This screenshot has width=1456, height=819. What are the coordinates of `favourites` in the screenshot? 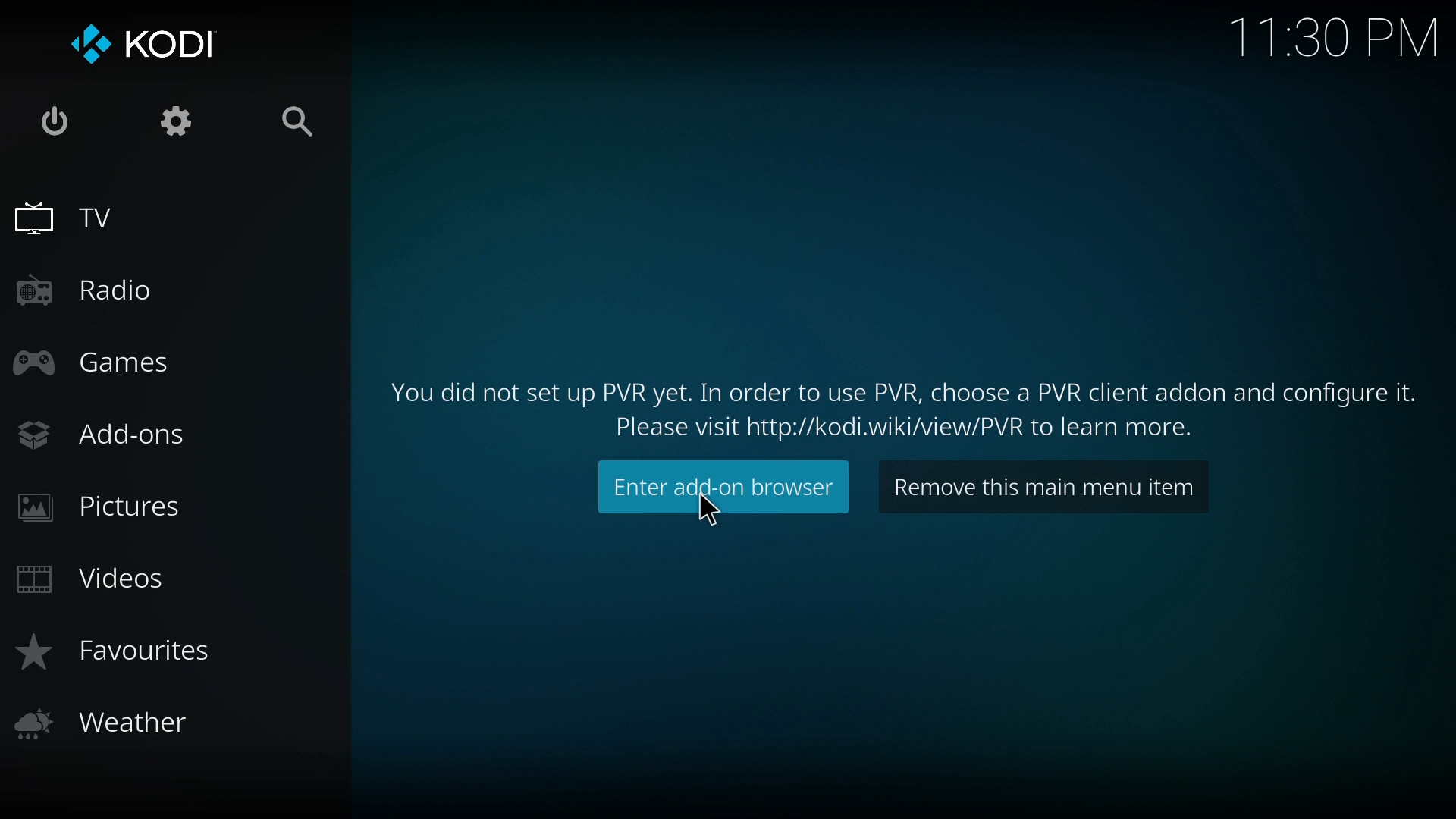 It's located at (122, 657).